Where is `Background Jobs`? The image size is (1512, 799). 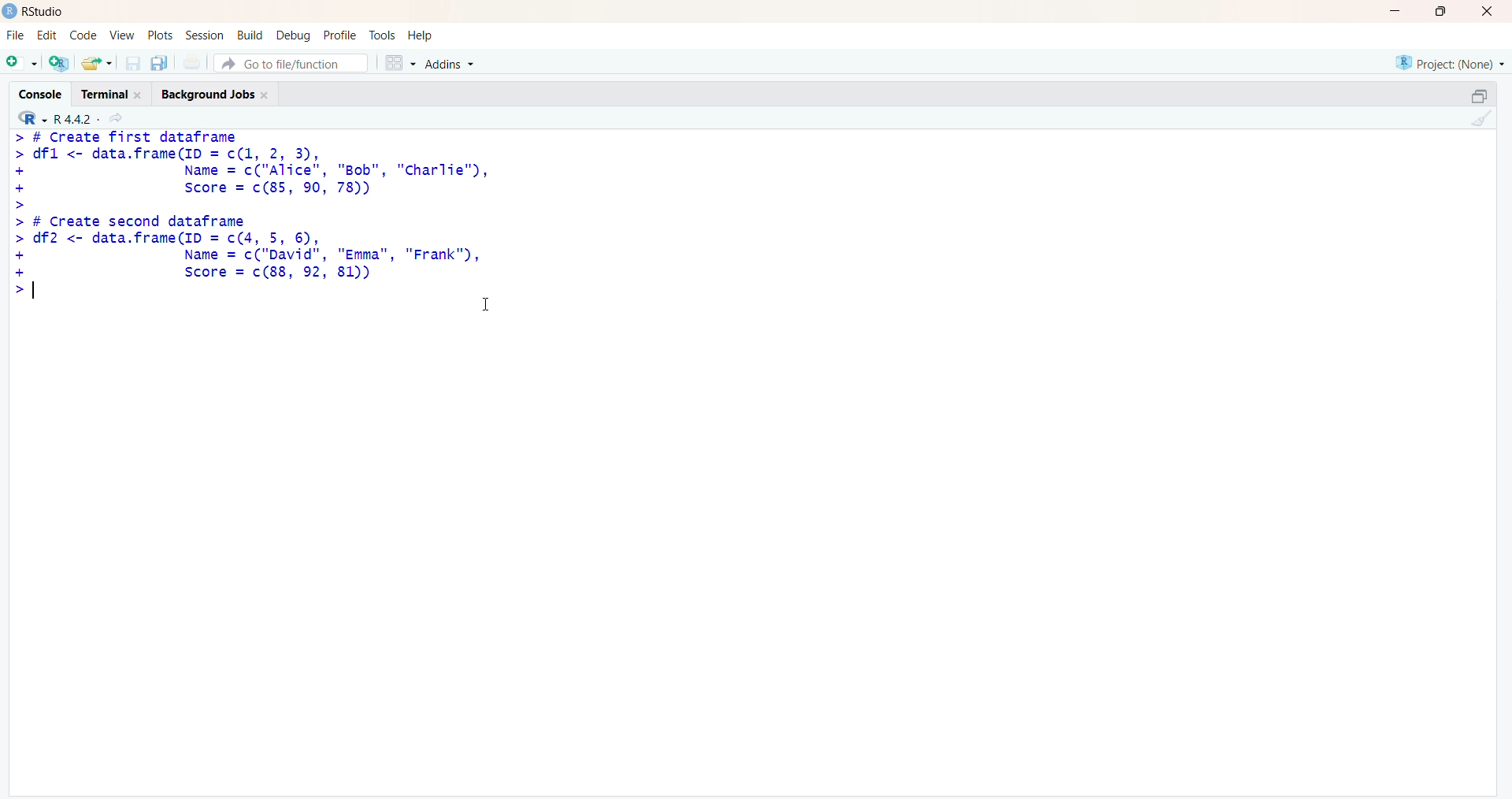
Background Jobs is located at coordinates (217, 92).